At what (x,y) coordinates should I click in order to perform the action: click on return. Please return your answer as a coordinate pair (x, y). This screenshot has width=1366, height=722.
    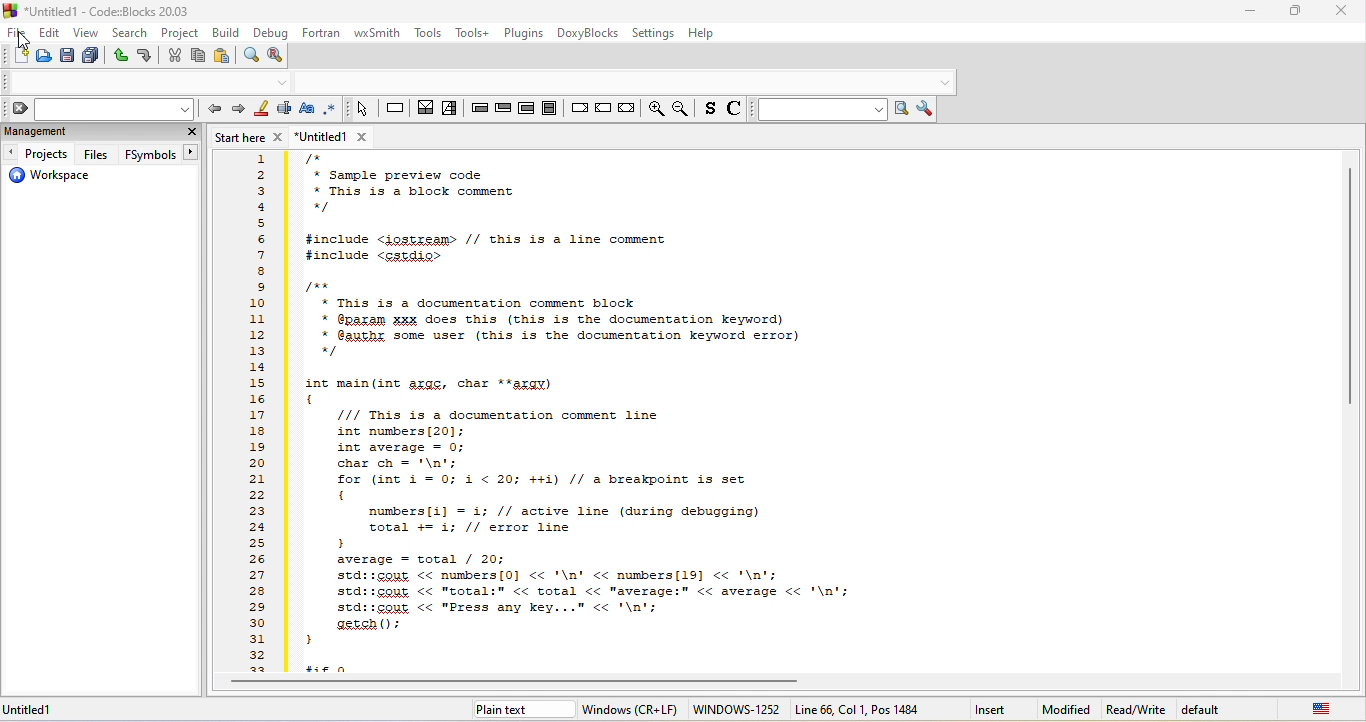
    Looking at the image, I should click on (625, 109).